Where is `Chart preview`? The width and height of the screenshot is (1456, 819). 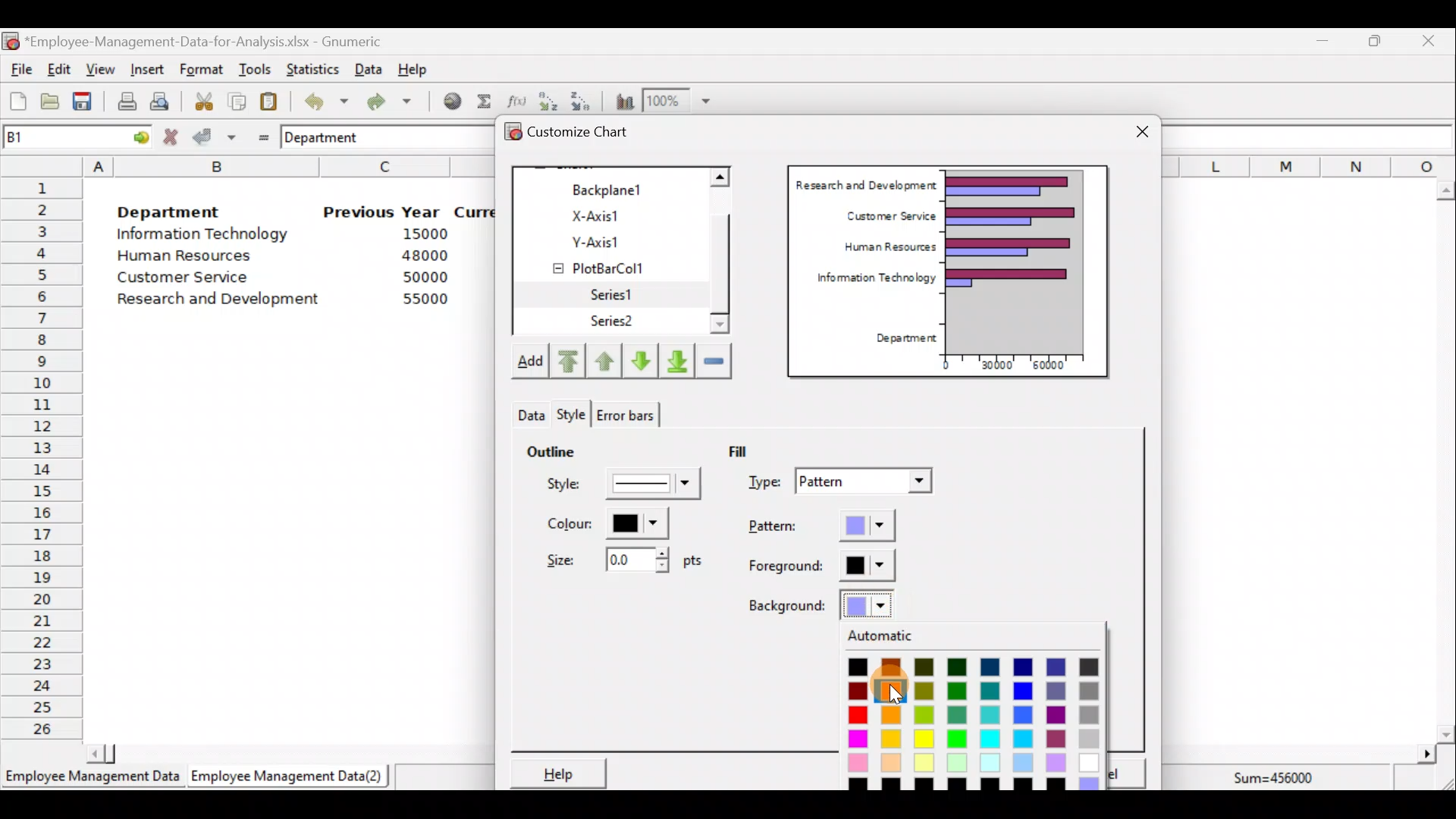
Chart preview is located at coordinates (1025, 261).